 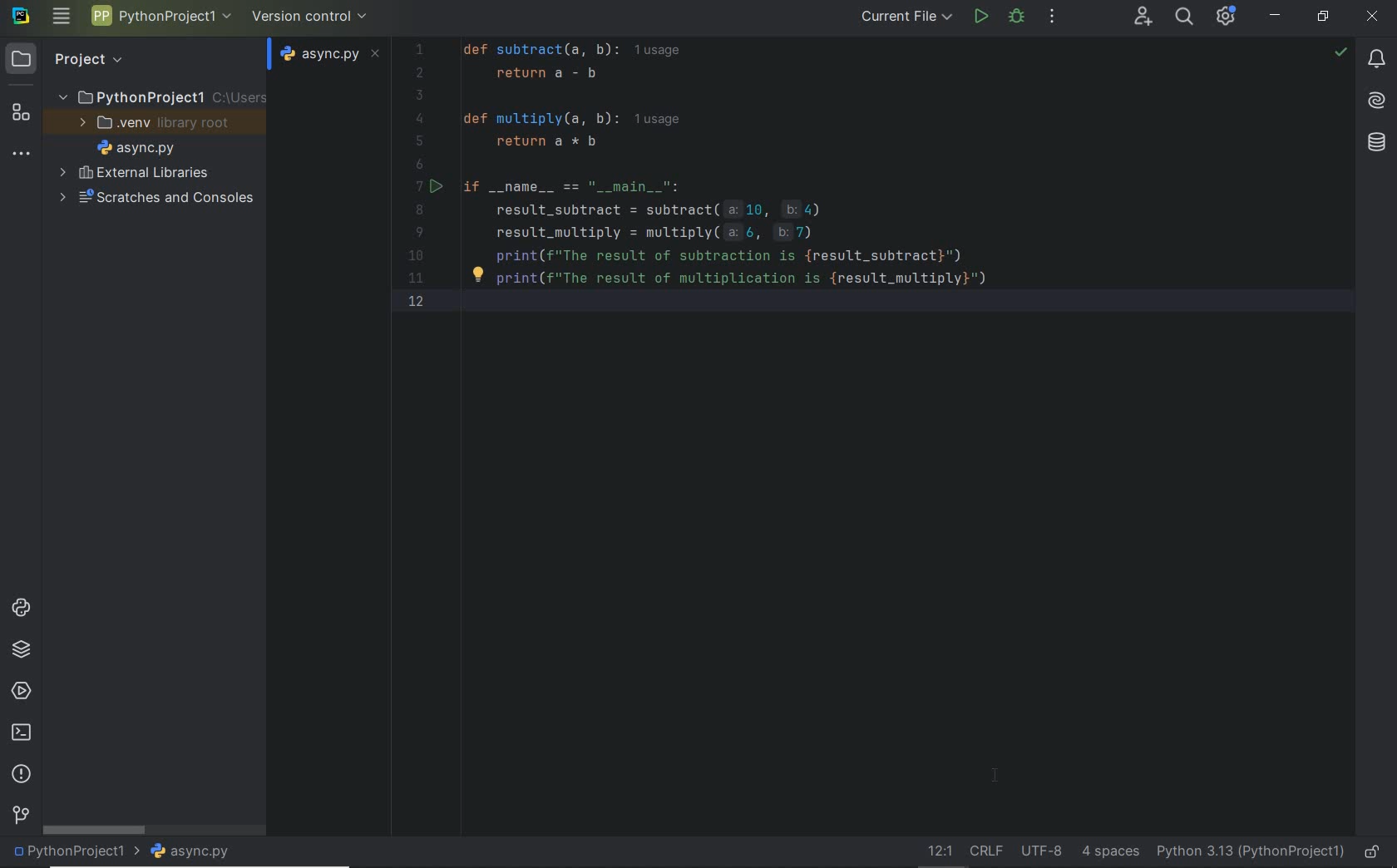 What do you see at coordinates (987, 852) in the screenshot?
I see `line separator` at bounding box center [987, 852].